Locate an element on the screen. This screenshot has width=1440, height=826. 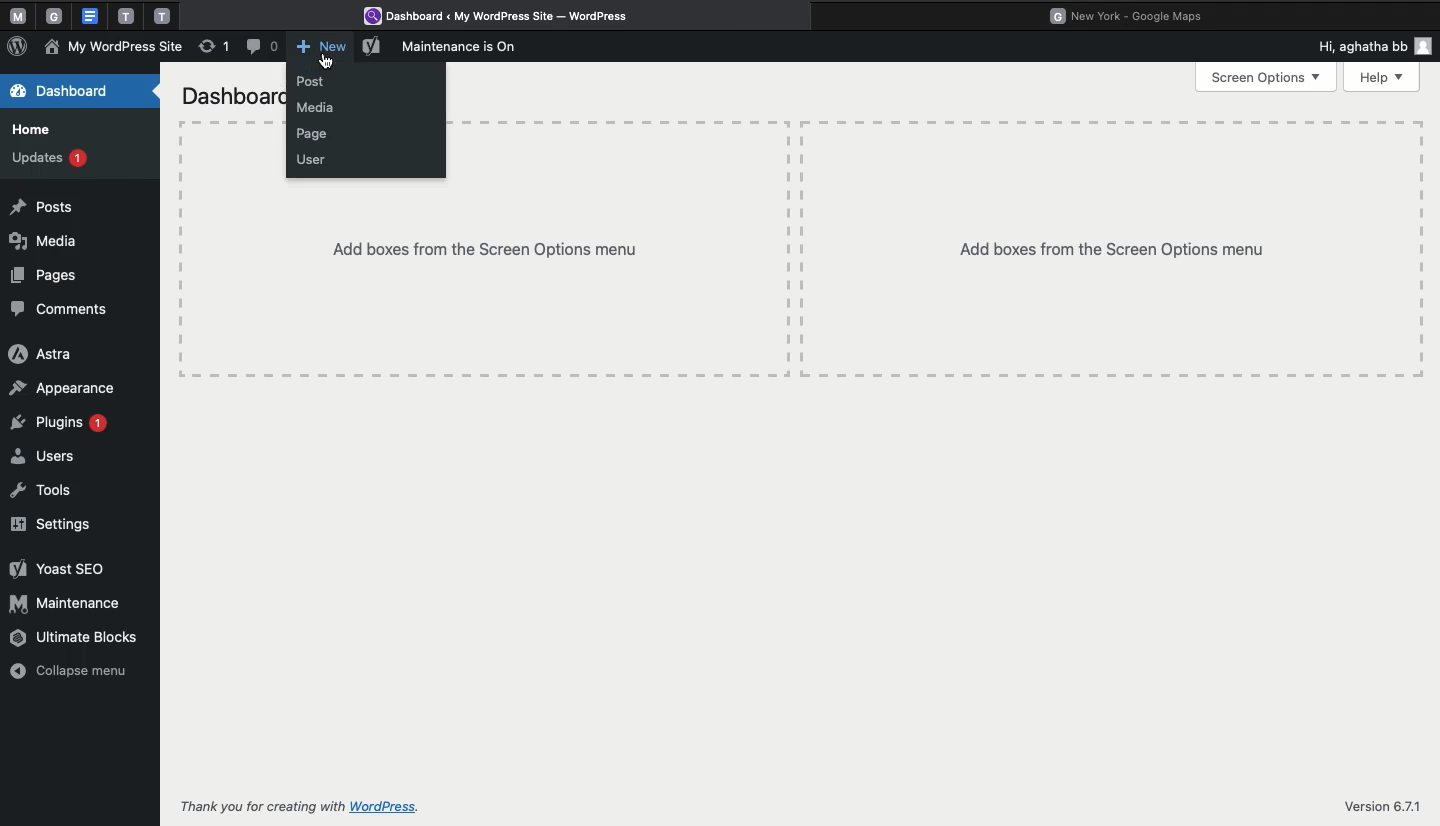
Maintenance  is located at coordinates (69, 604).